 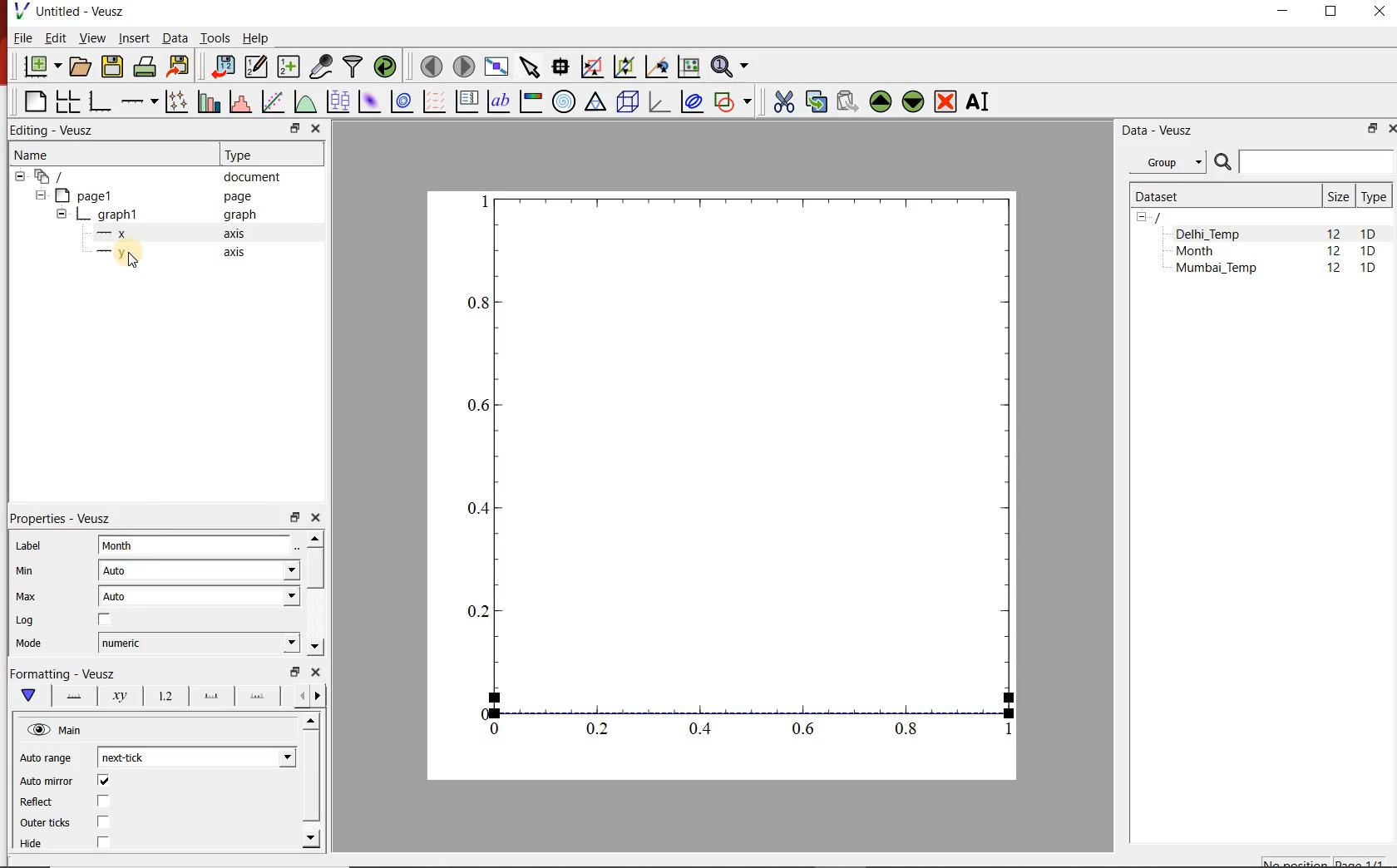 I want to click on move the selected widget down, so click(x=913, y=102).